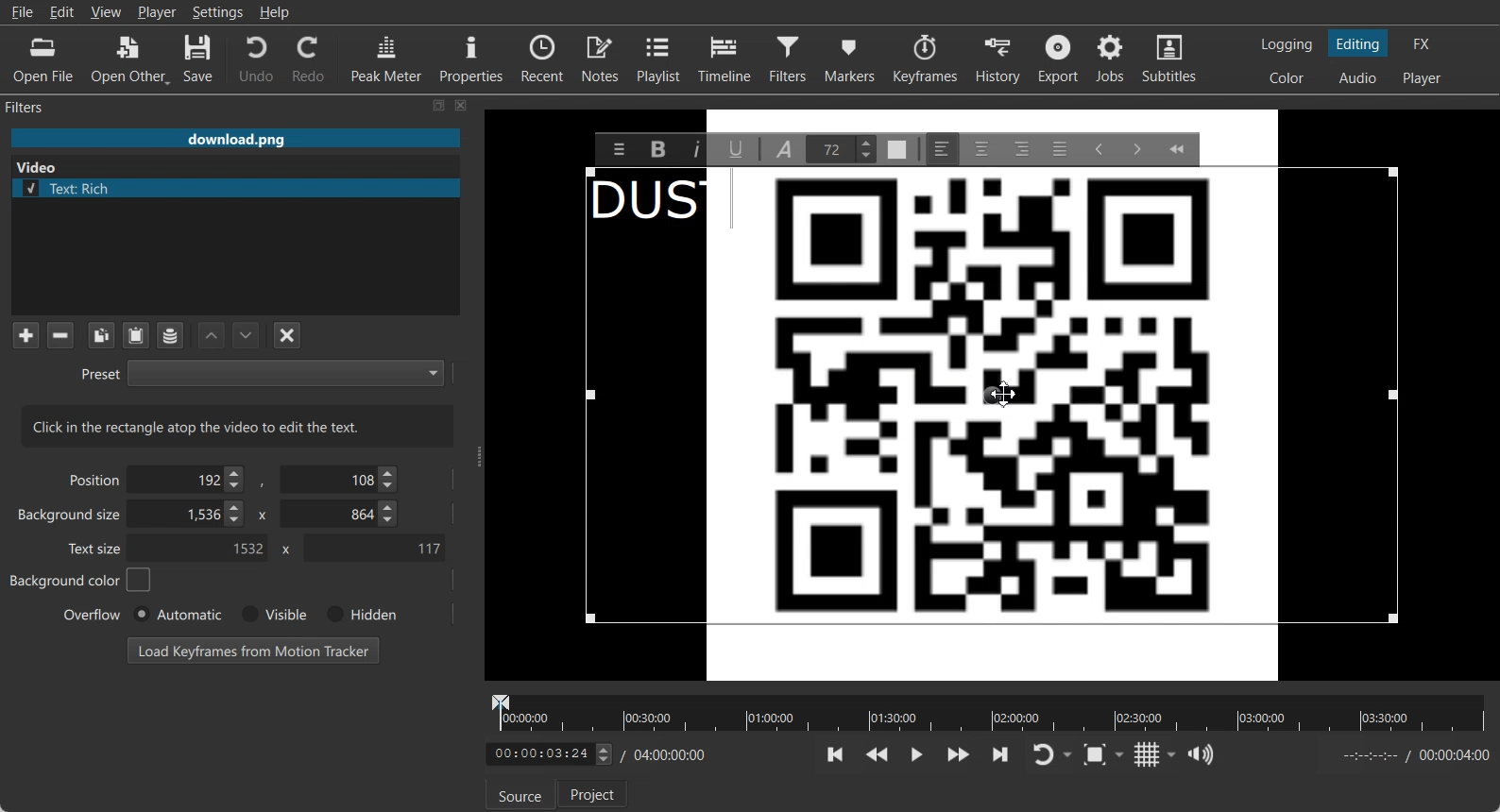 The image size is (1500, 812). Describe the element at coordinates (1201, 755) in the screenshot. I see `Show the volume control` at that location.